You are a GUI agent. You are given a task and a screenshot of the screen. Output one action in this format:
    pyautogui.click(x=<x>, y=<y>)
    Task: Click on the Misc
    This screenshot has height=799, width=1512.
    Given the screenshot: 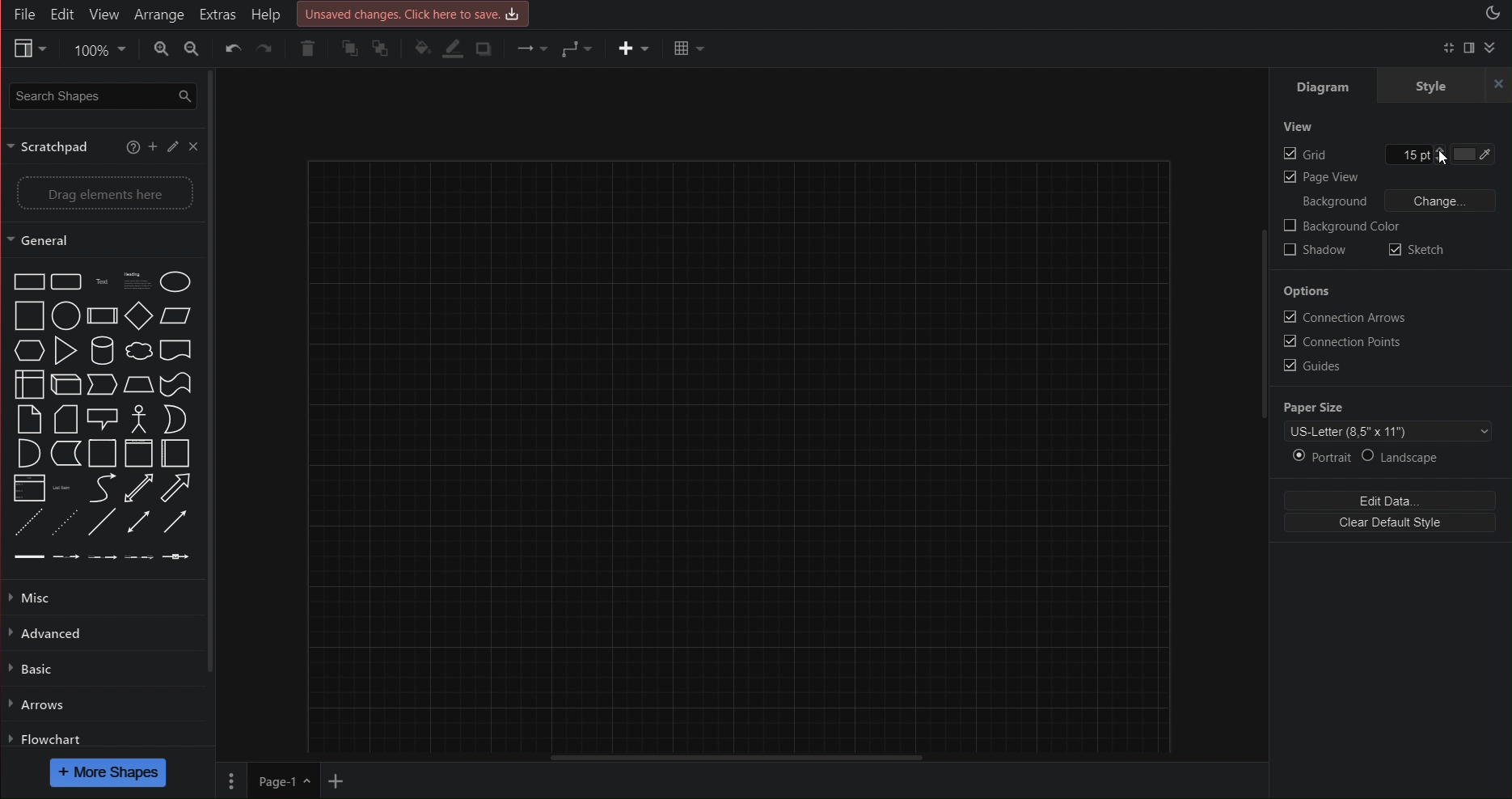 What is the action you would take?
    pyautogui.click(x=46, y=598)
    